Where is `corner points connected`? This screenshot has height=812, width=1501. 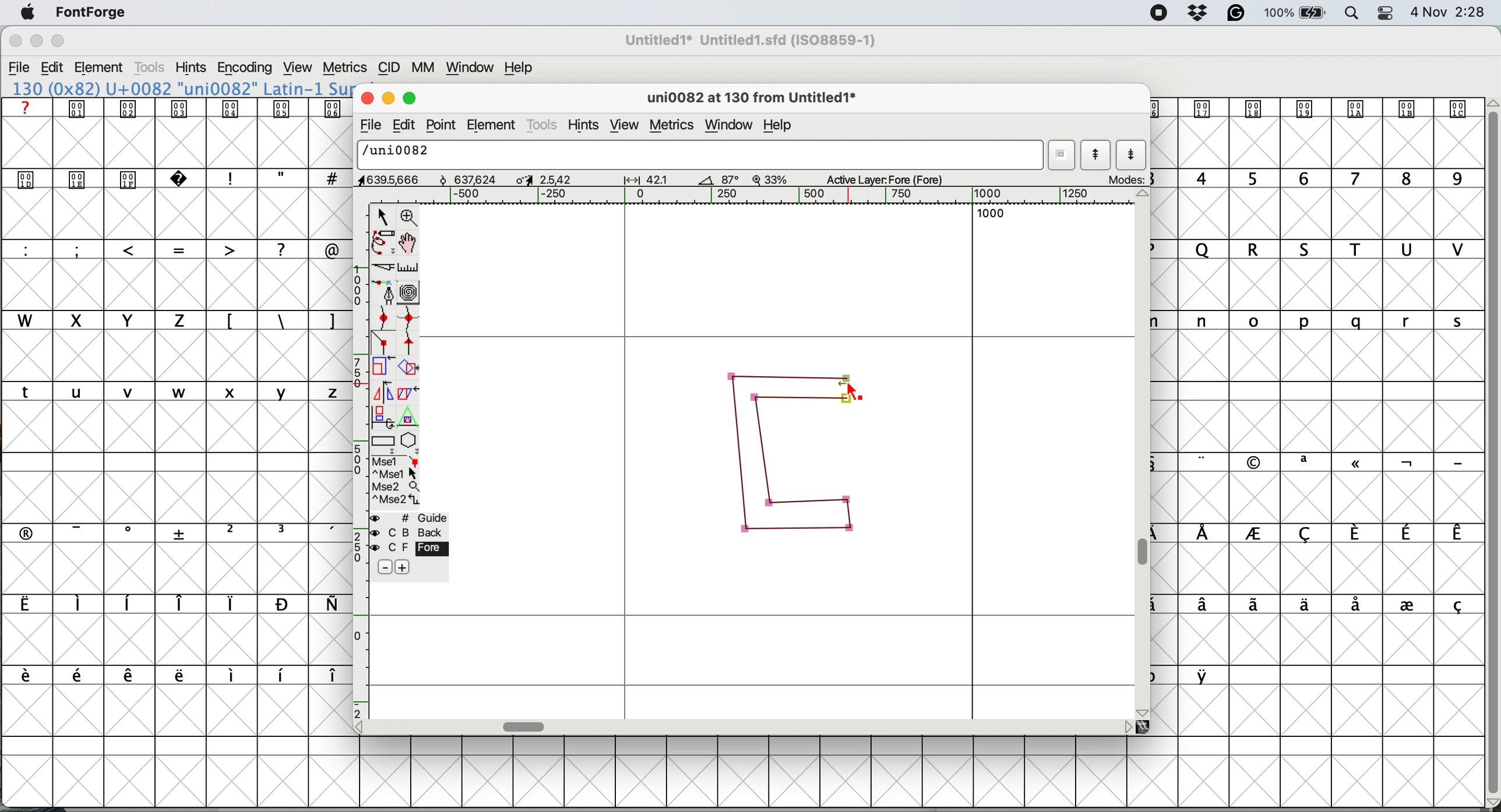 corner points connected is located at coordinates (852, 519).